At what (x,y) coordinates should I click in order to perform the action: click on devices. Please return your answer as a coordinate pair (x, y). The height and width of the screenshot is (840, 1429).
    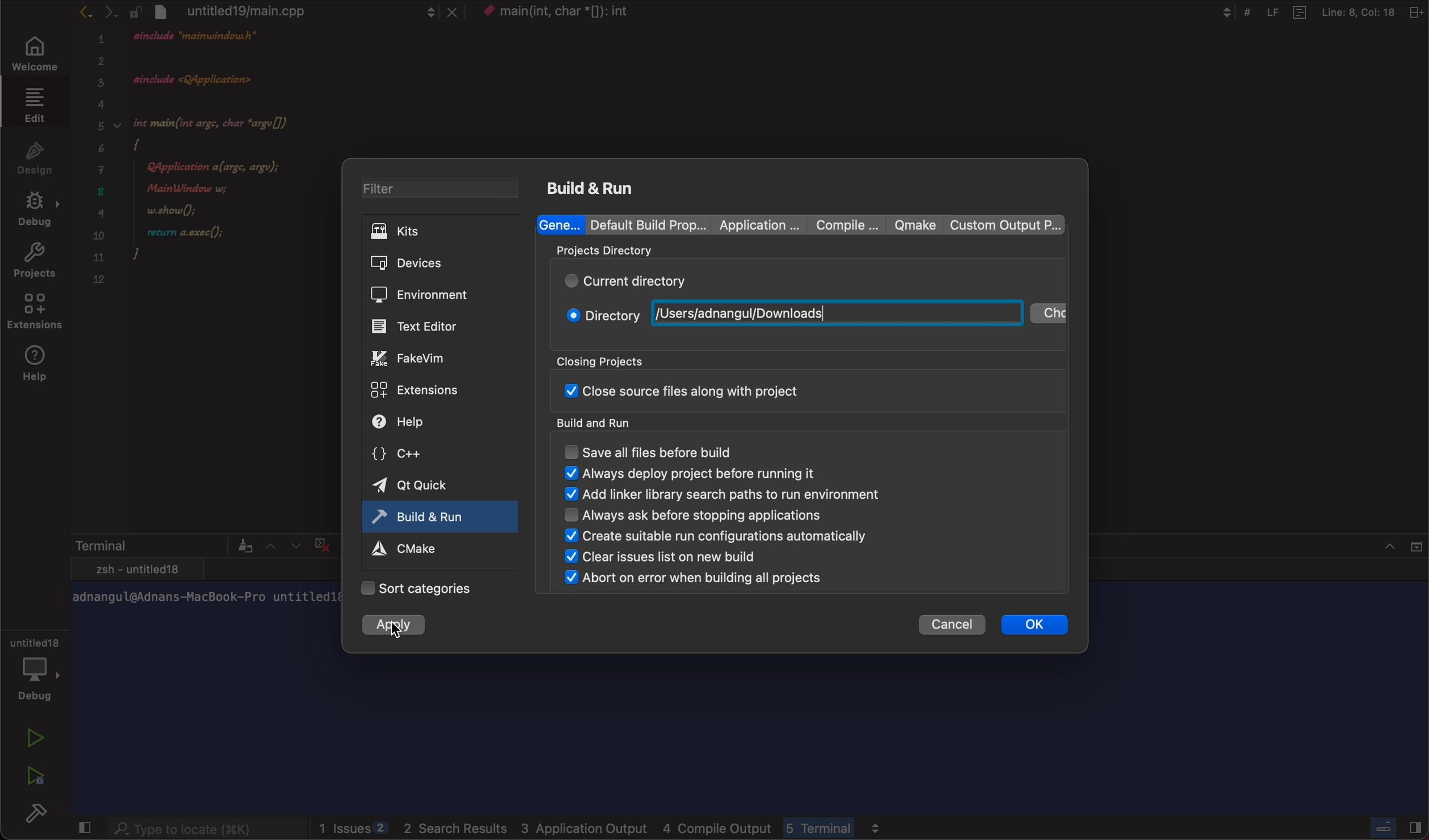
    Looking at the image, I should click on (432, 264).